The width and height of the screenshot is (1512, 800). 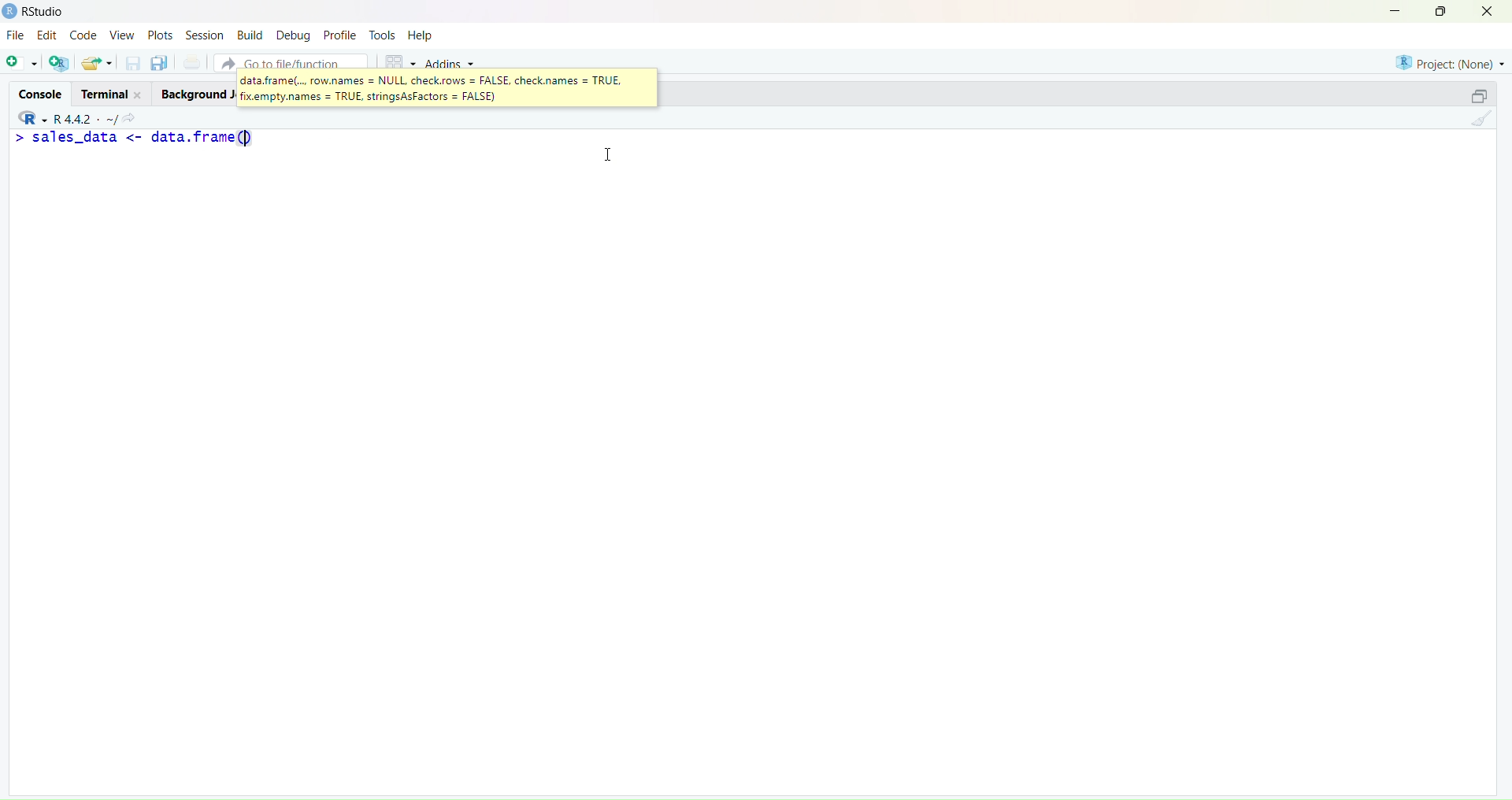 I want to click on print, so click(x=192, y=65).